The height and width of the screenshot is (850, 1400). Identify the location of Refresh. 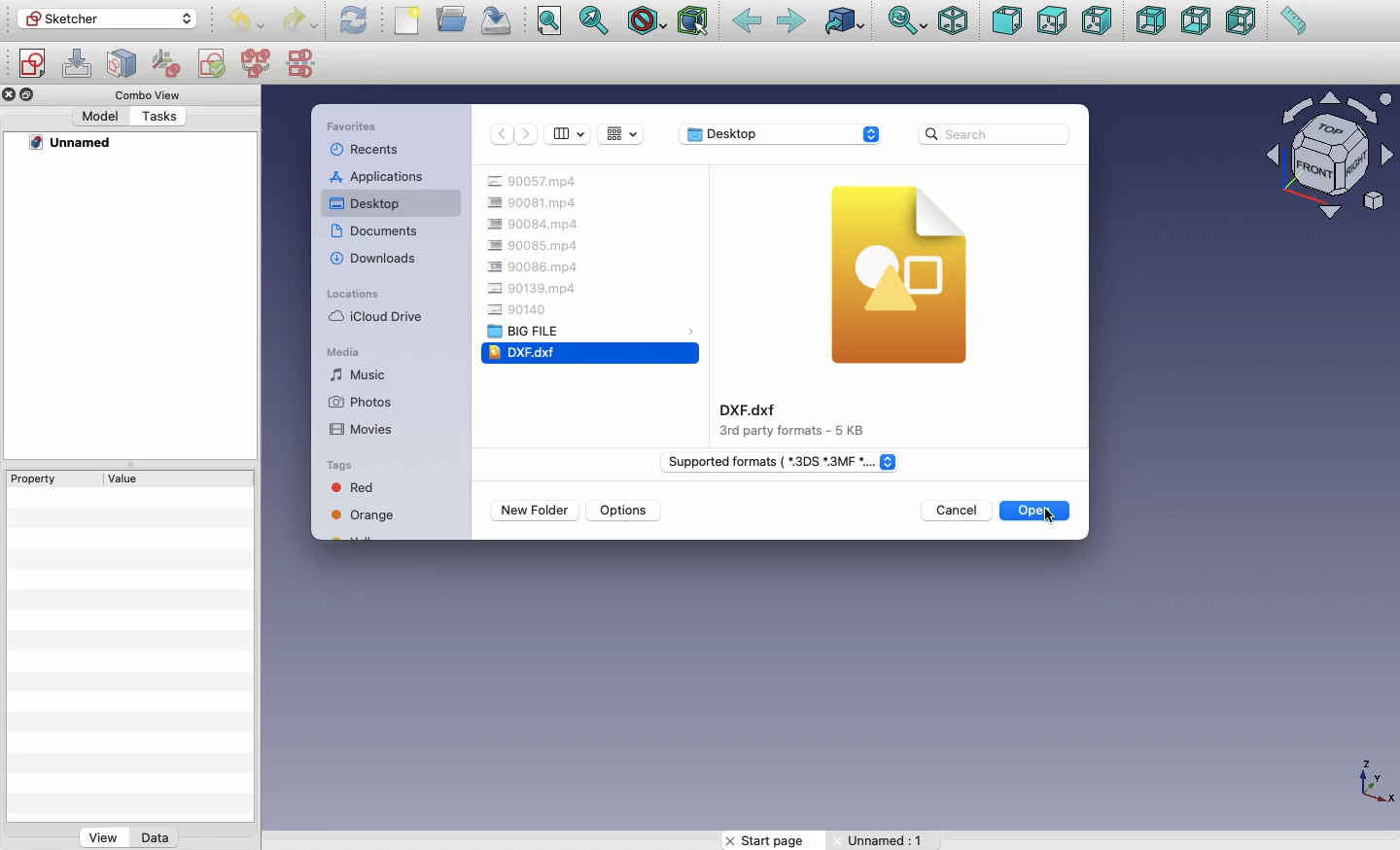
(355, 22).